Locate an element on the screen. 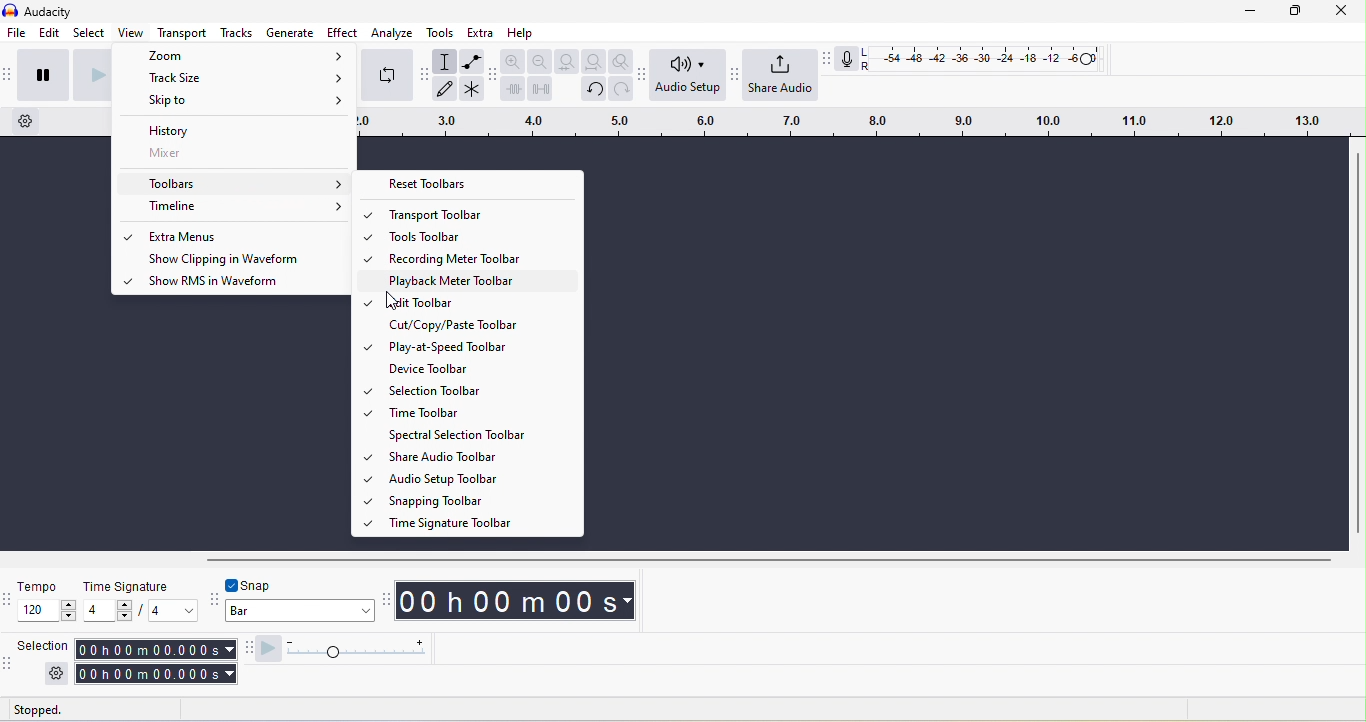 This screenshot has height=722, width=1366. audio setup toolbar is located at coordinates (641, 76).